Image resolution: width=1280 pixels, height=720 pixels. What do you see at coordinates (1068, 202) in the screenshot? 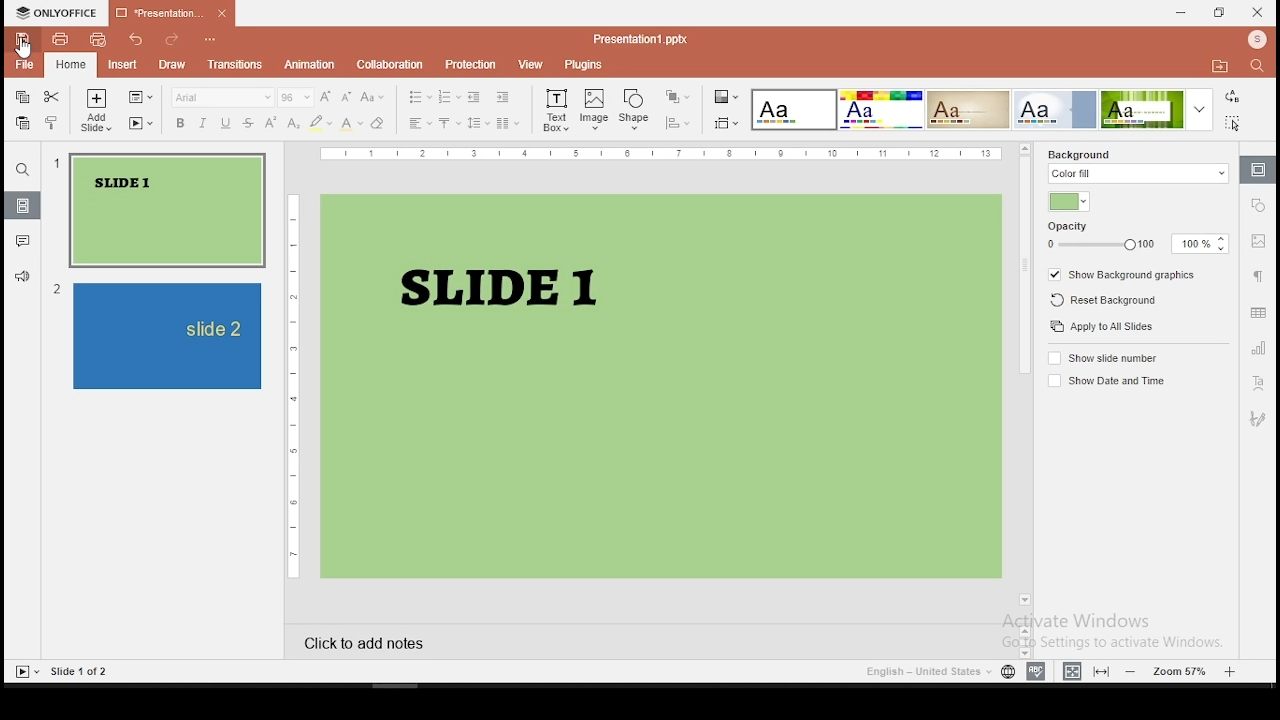
I see `fill color` at bounding box center [1068, 202].